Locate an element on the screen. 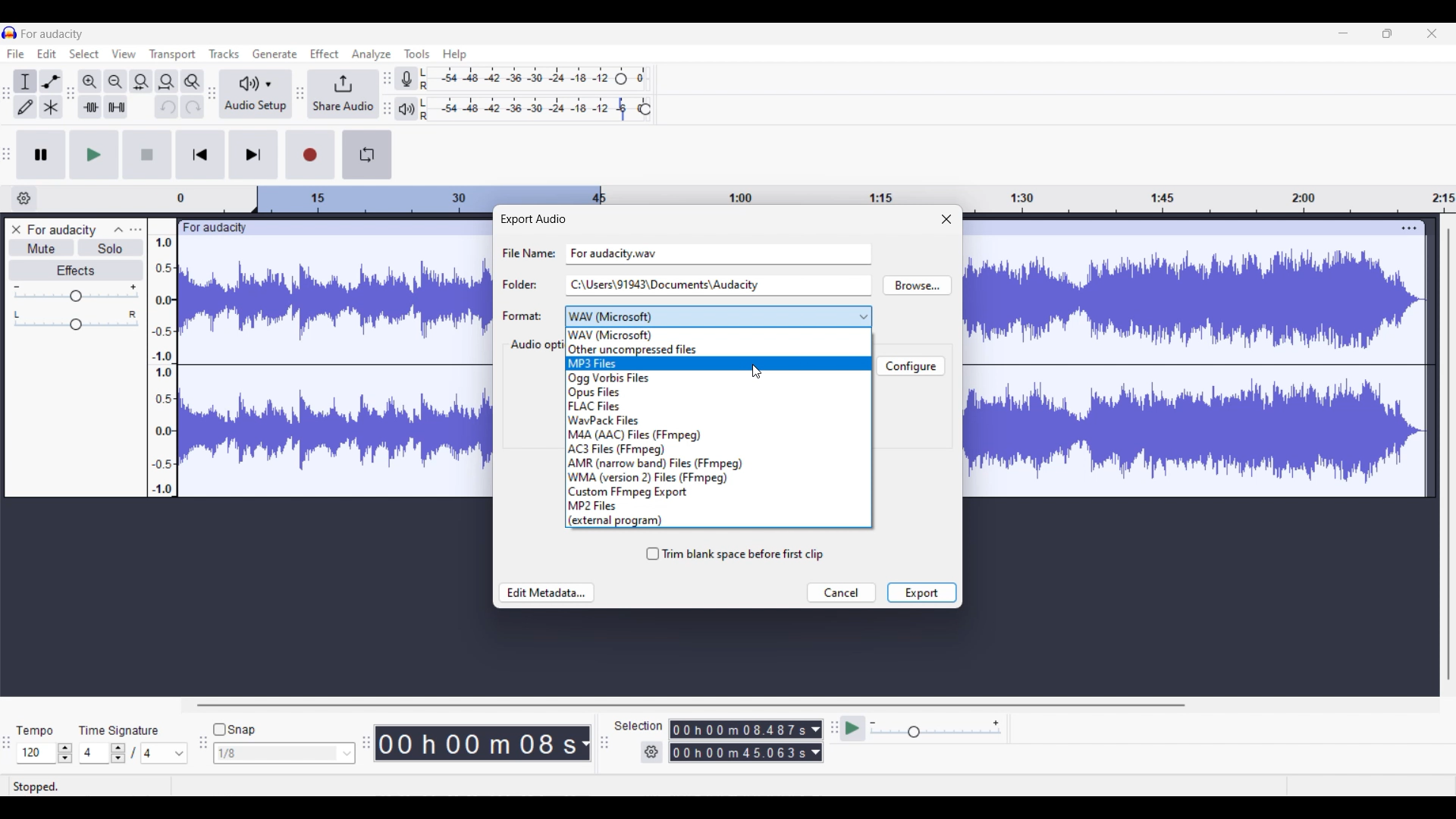  Close interface is located at coordinates (1432, 33).